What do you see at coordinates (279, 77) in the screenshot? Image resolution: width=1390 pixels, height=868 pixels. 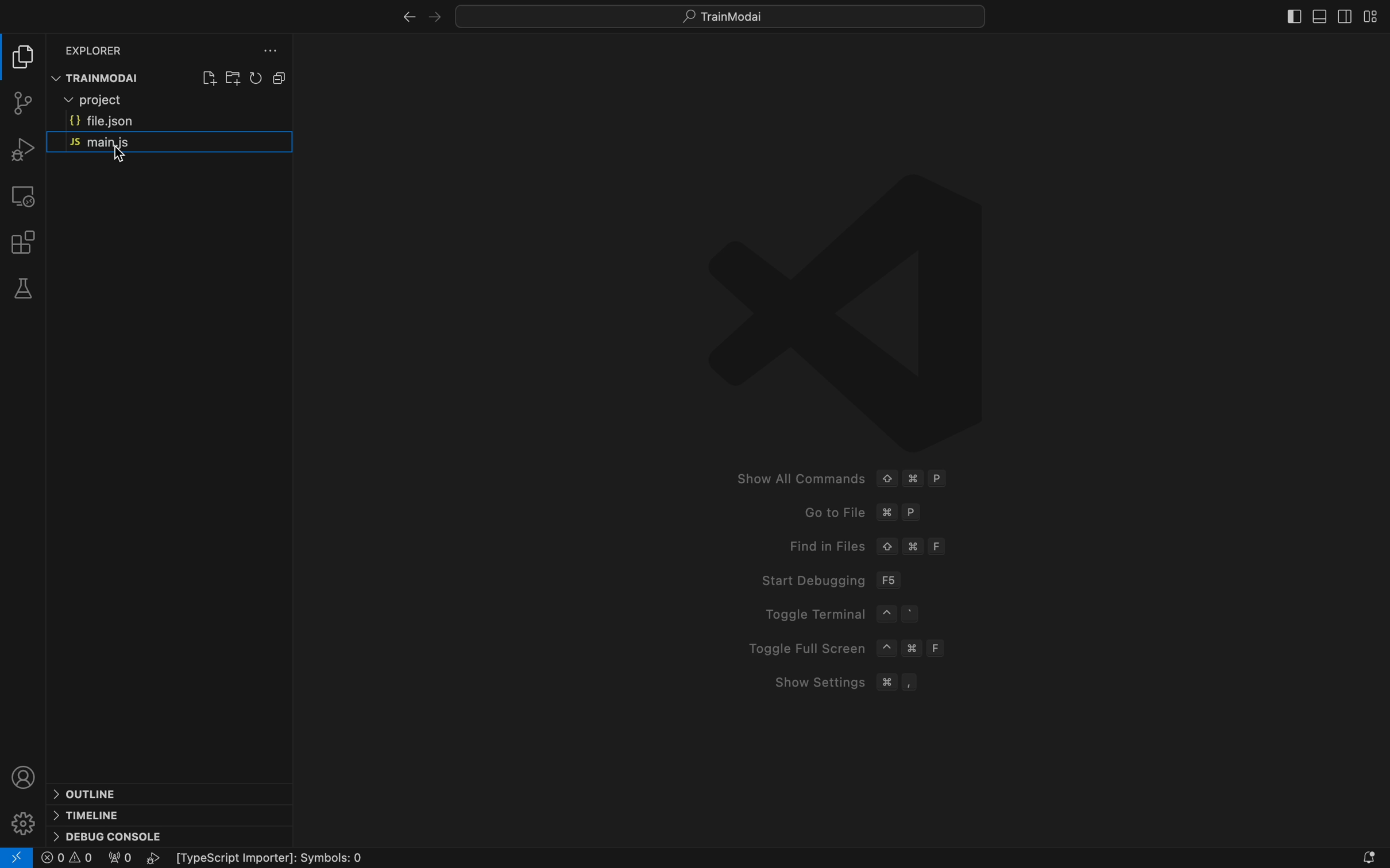 I see `` at bounding box center [279, 77].